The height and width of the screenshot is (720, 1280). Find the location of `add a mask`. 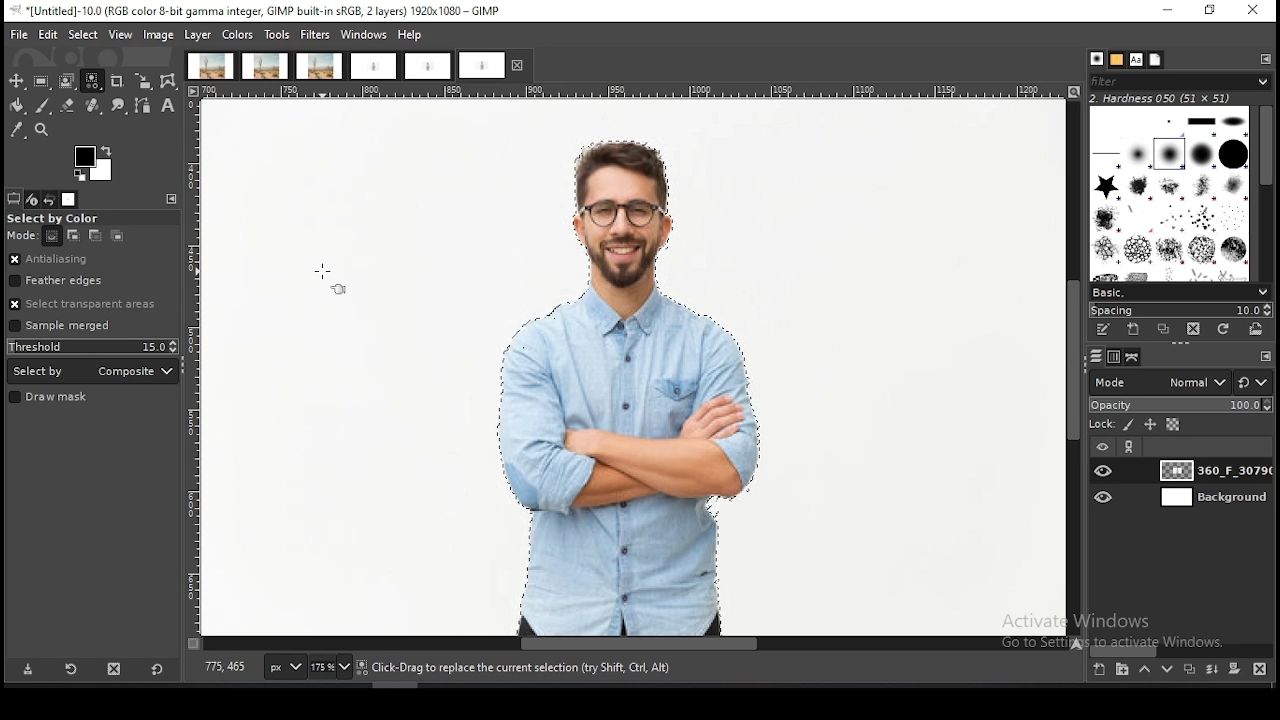

add a mask is located at coordinates (1234, 668).